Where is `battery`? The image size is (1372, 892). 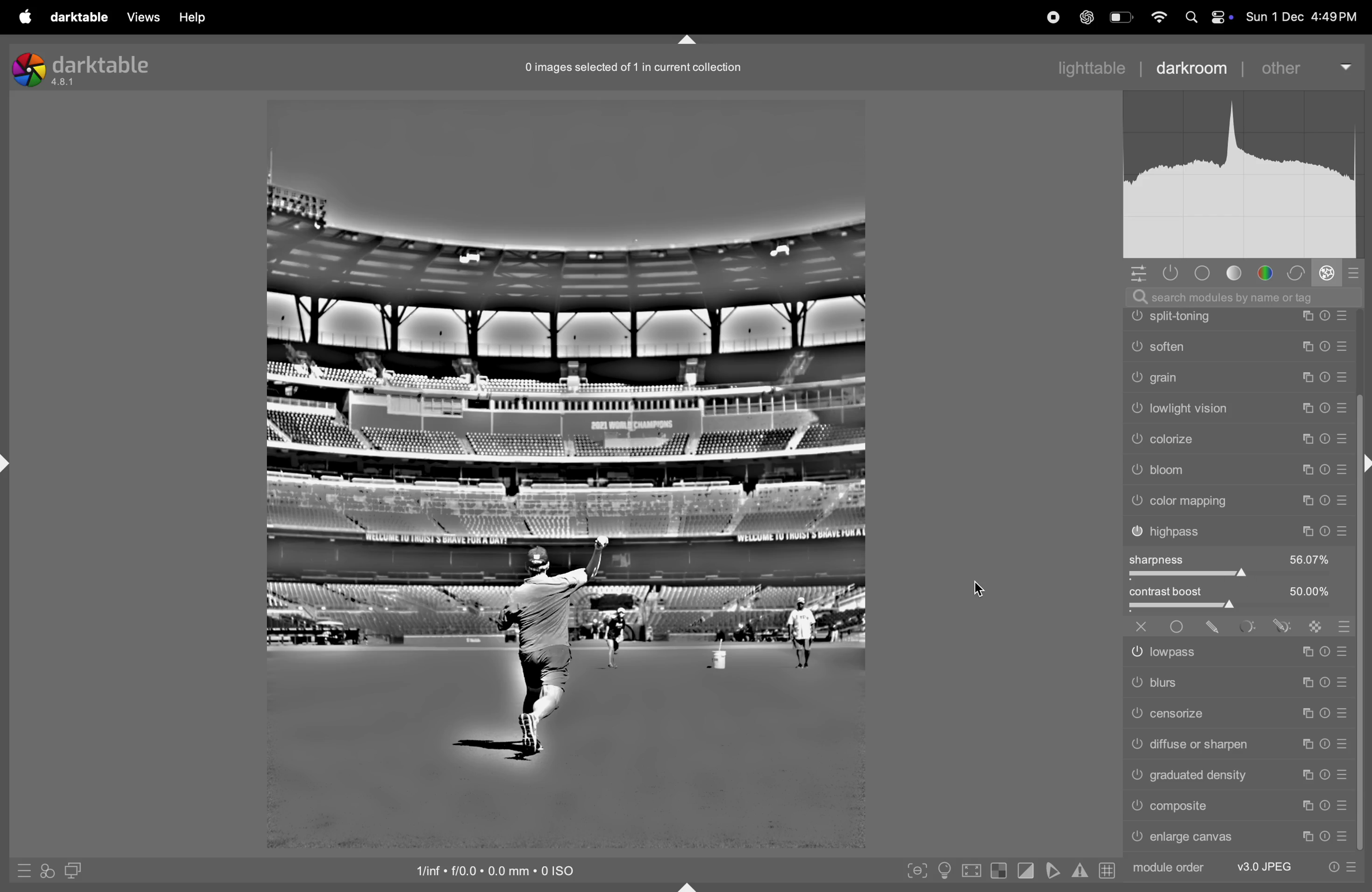
battery is located at coordinates (1120, 17).